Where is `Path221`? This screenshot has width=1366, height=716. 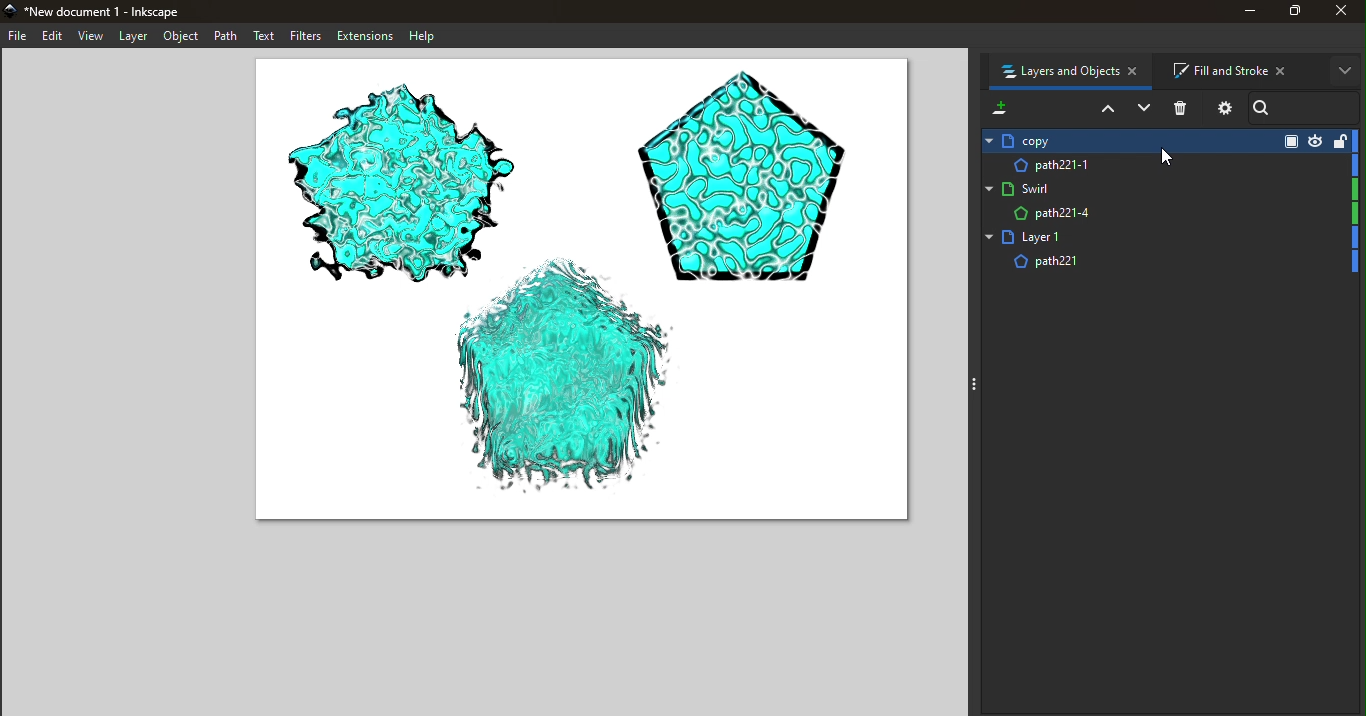 Path221 is located at coordinates (1170, 265).